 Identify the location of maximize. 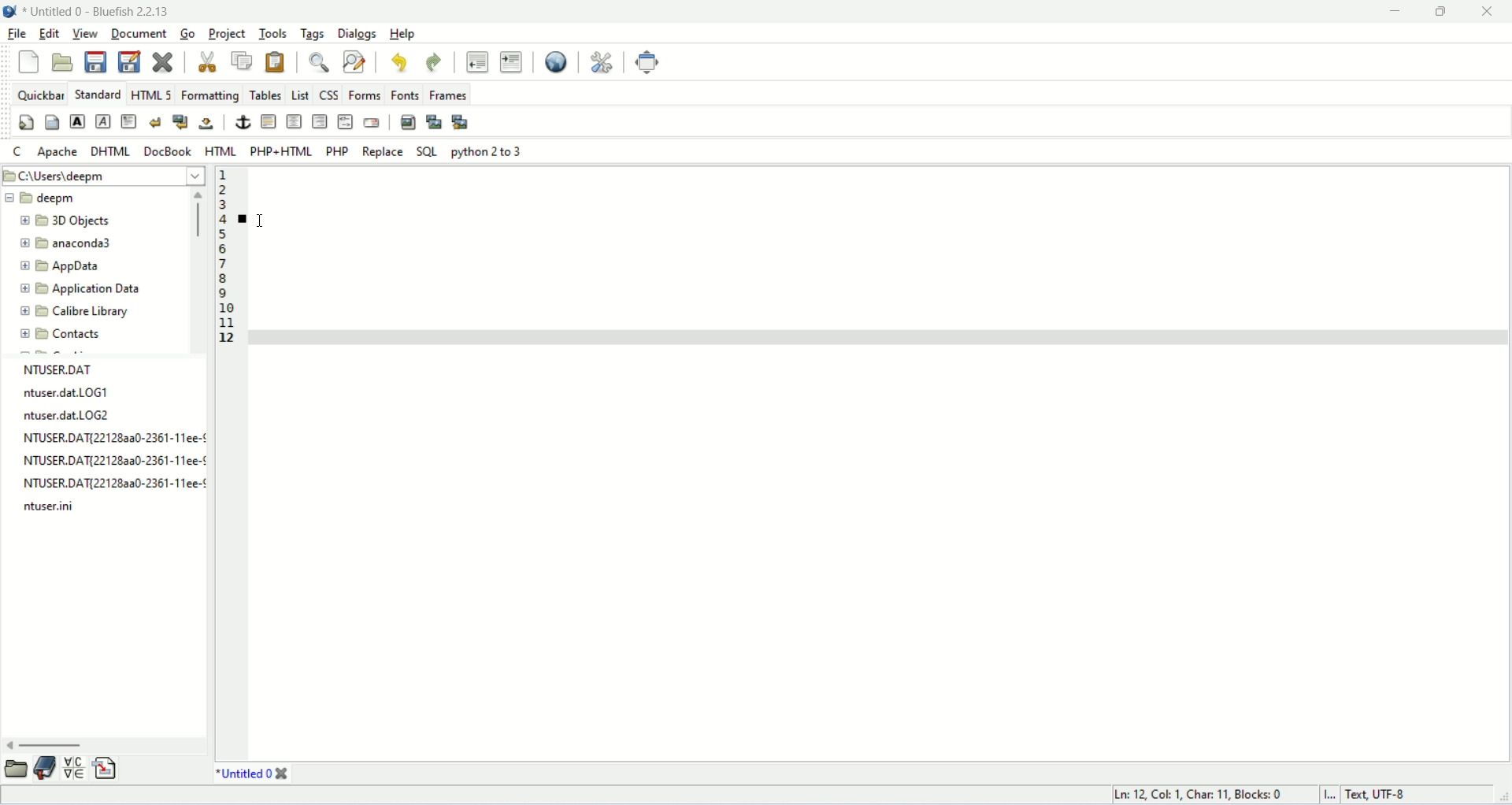
(1440, 14).